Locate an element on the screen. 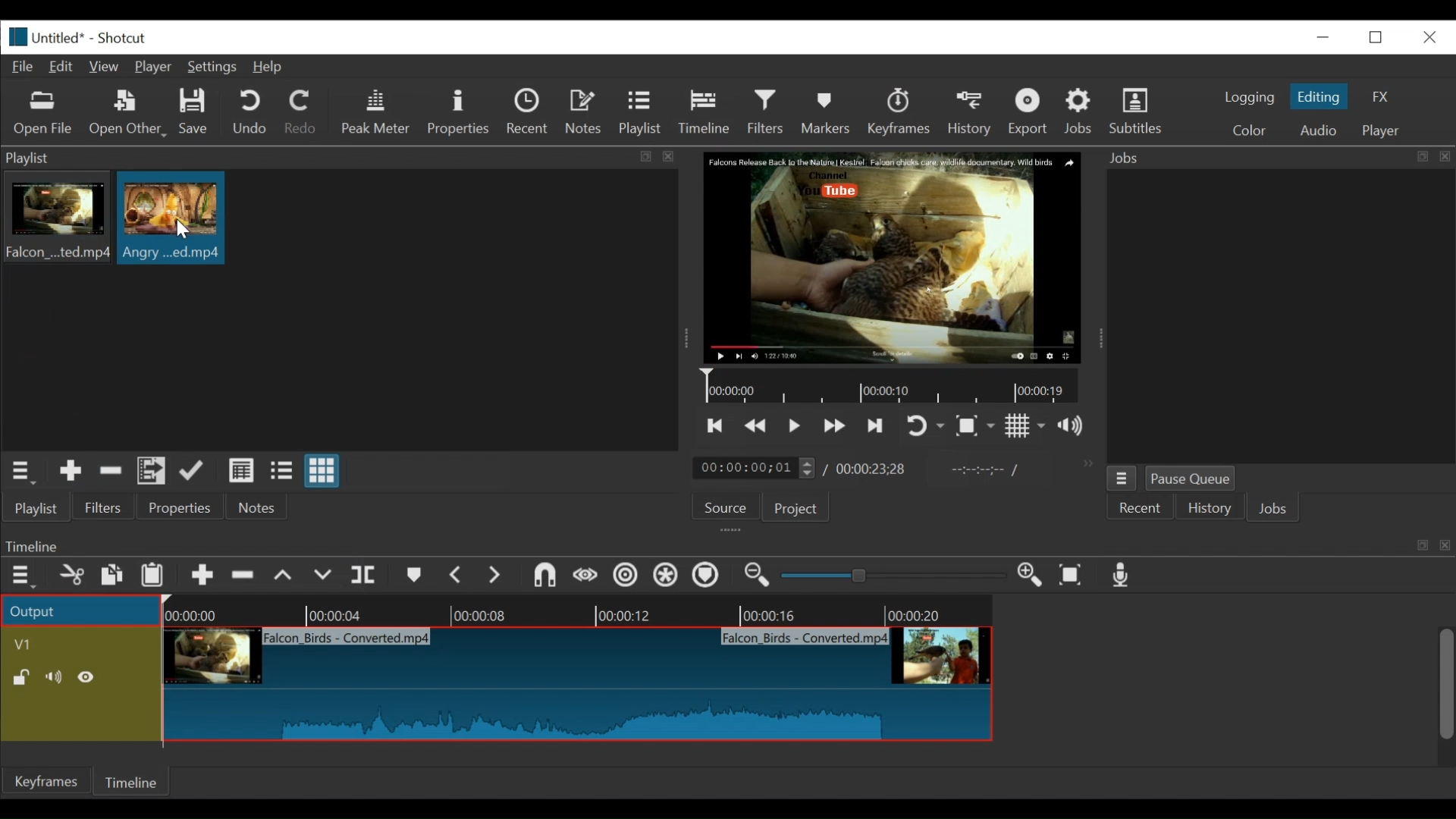  Audio is located at coordinates (1317, 130).